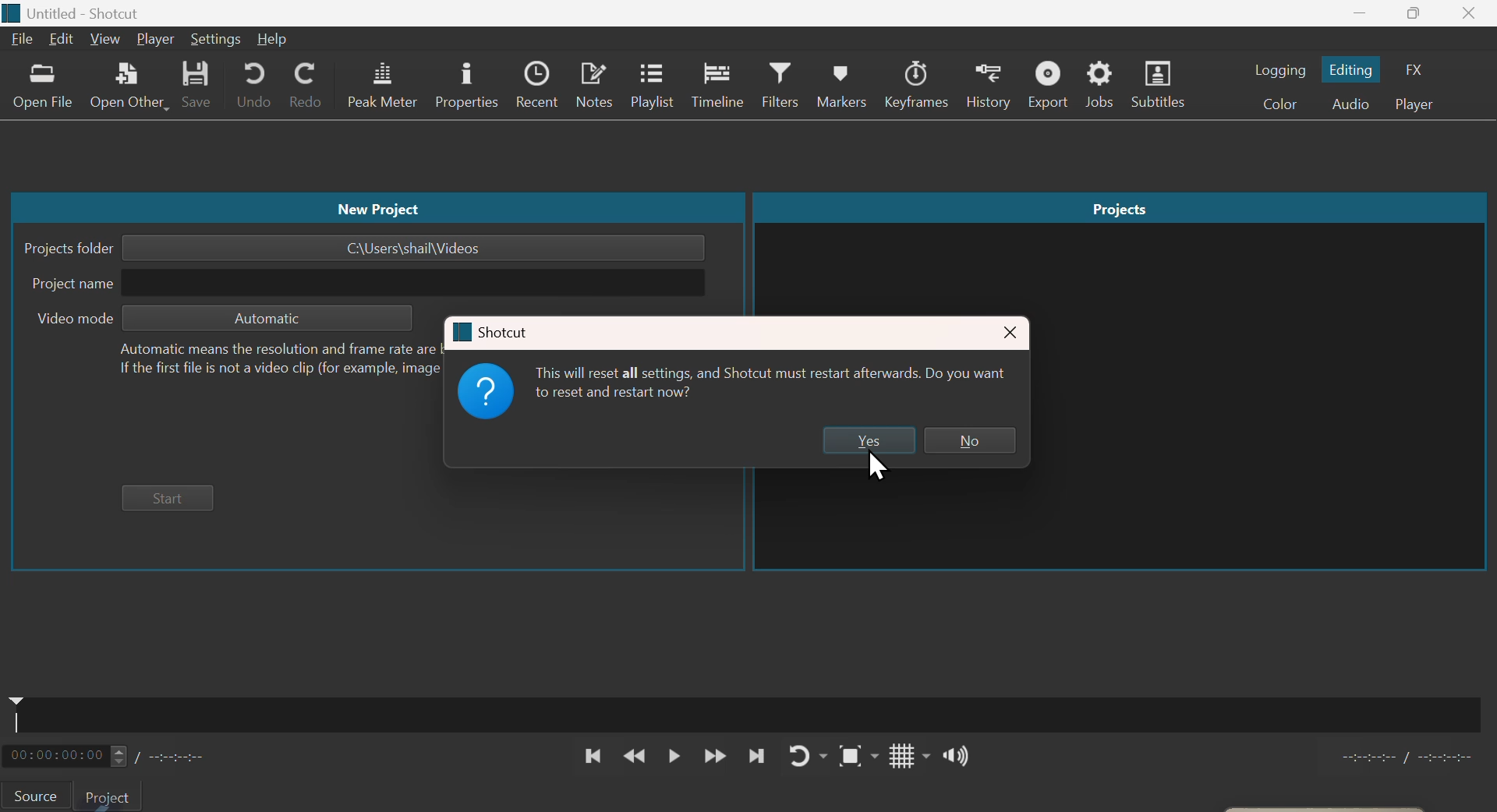 This screenshot has height=812, width=1497. I want to click on close, so click(1472, 13).